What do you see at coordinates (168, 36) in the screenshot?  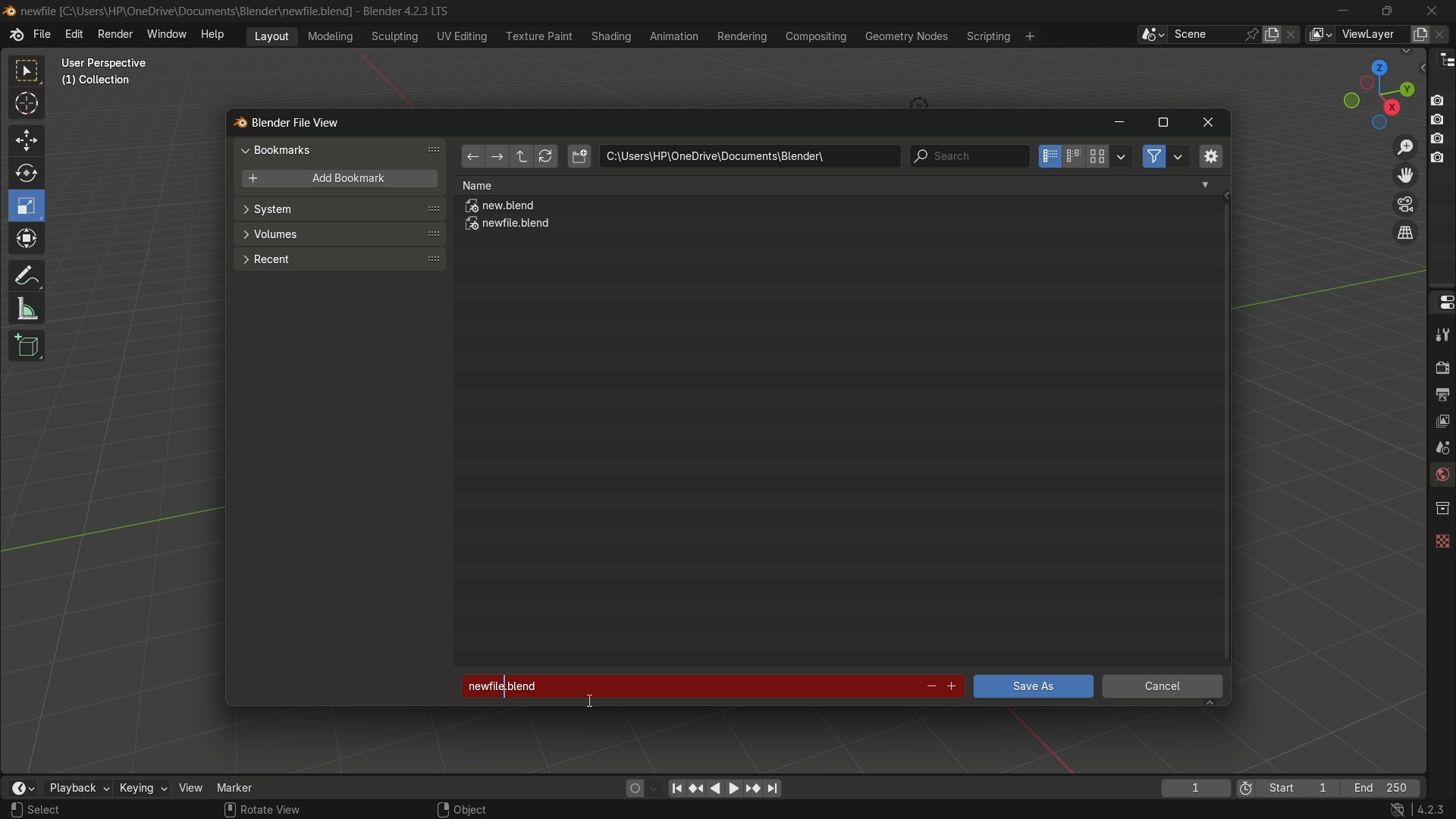 I see `window menu` at bounding box center [168, 36].